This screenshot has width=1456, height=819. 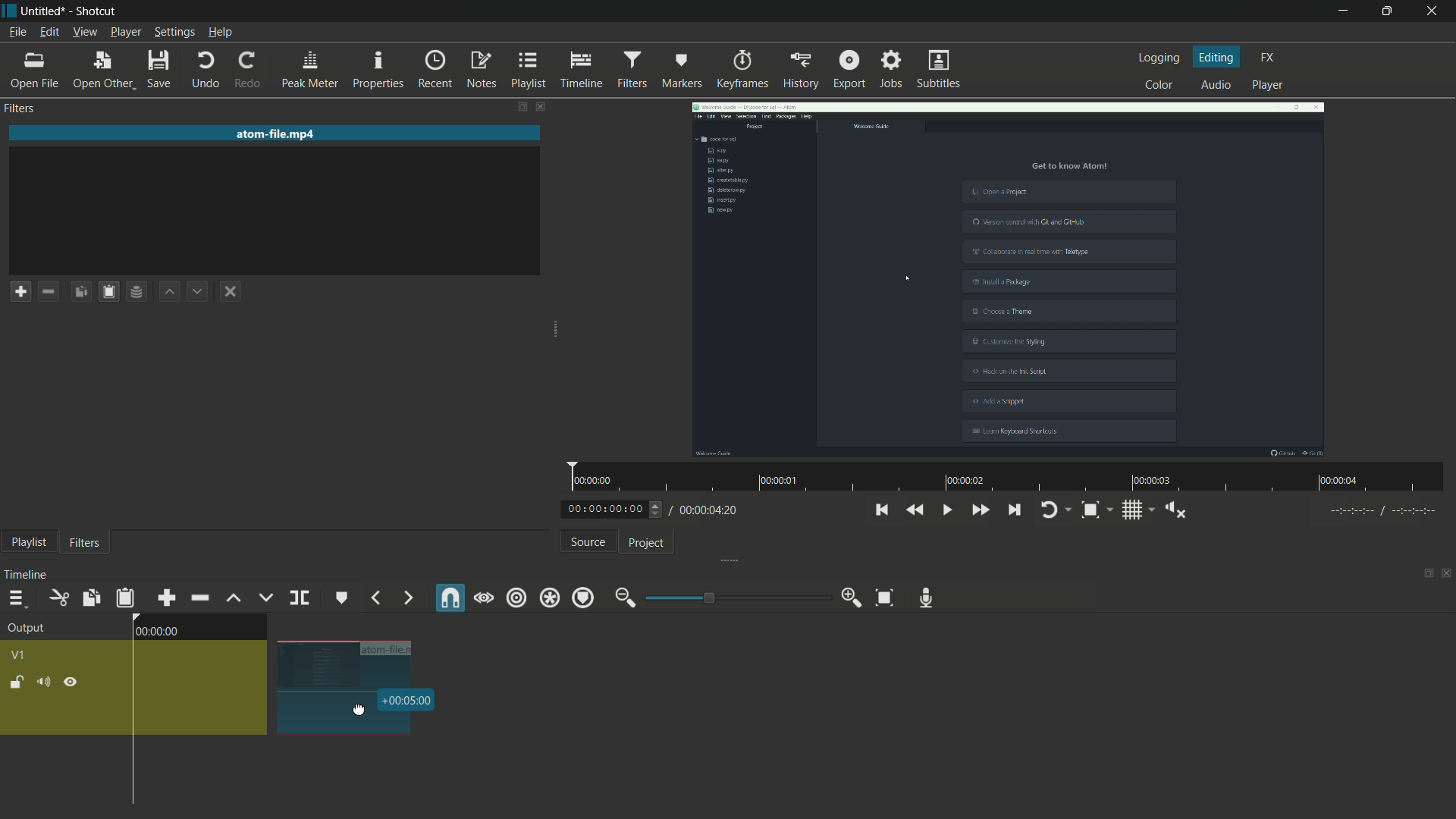 I want to click on current time, so click(x=157, y=632).